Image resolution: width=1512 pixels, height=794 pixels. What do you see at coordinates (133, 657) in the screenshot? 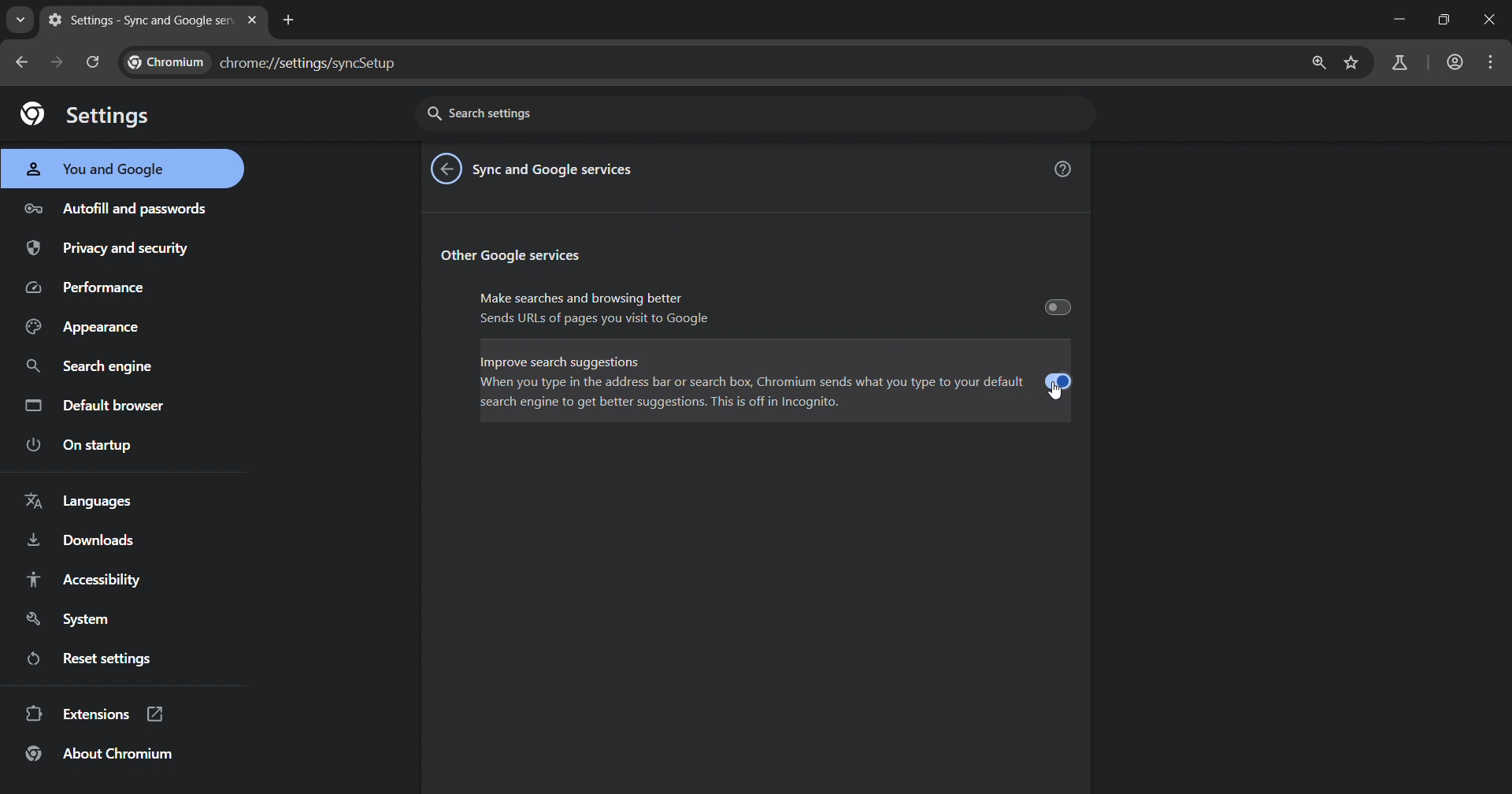
I see `reset setting` at bounding box center [133, 657].